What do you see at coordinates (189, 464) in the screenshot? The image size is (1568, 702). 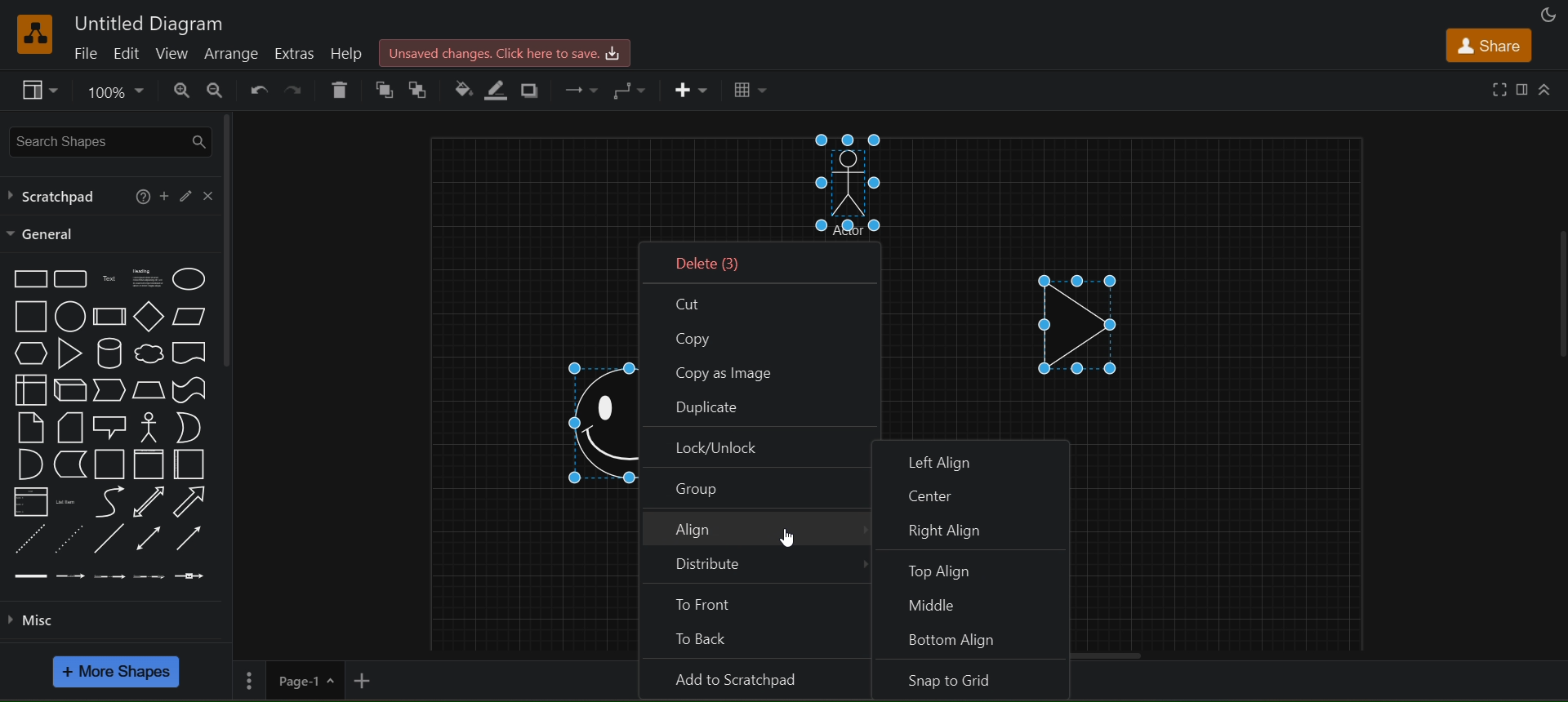 I see `horizontal container` at bounding box center [189, 464].